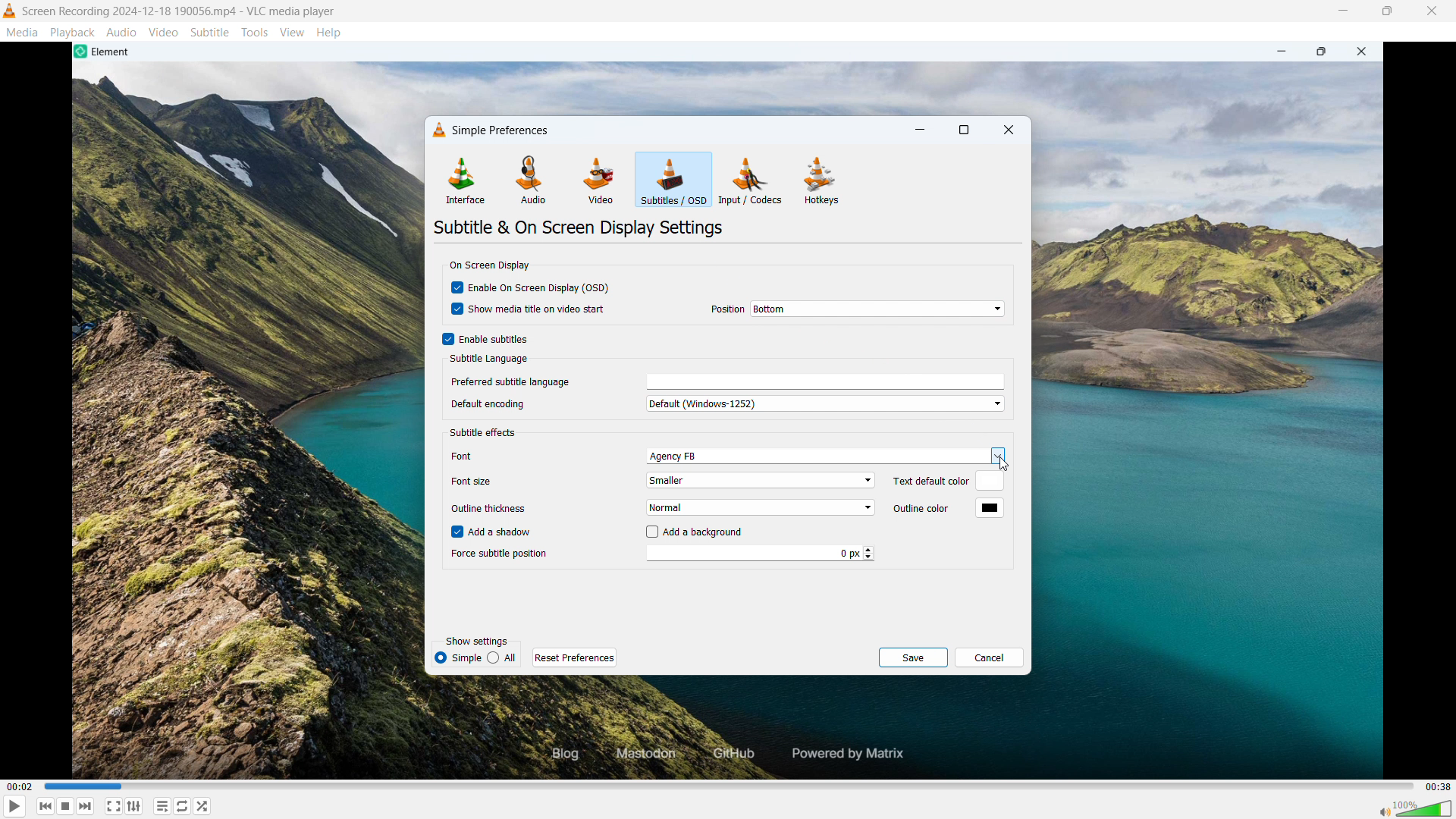  I want to click on stop playback, so click(66, 806).